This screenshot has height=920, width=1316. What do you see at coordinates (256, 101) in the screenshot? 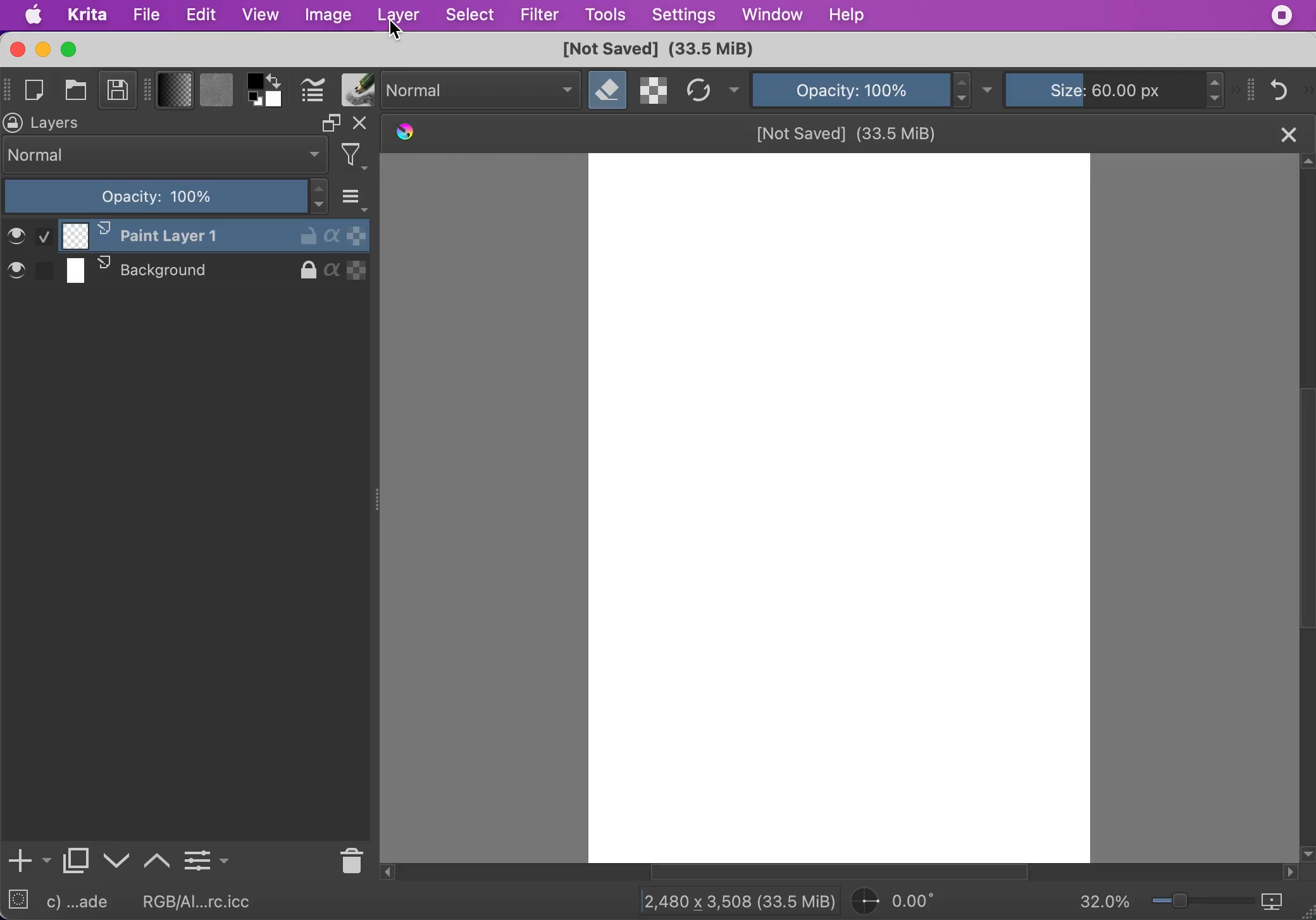
I see `set foreground and background color` at bounding box center [256, 101].